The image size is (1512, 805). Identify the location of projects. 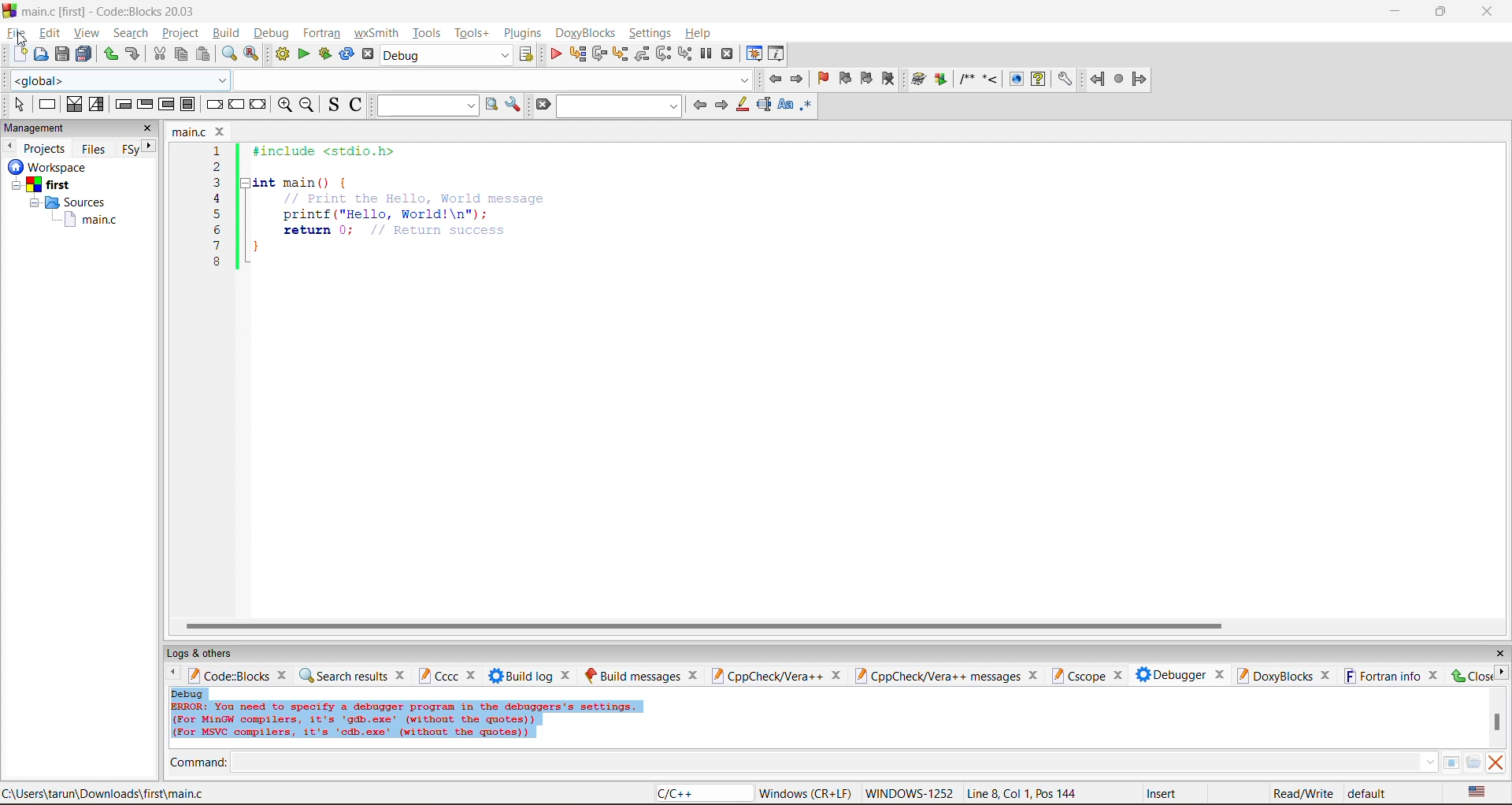
(46, 148).